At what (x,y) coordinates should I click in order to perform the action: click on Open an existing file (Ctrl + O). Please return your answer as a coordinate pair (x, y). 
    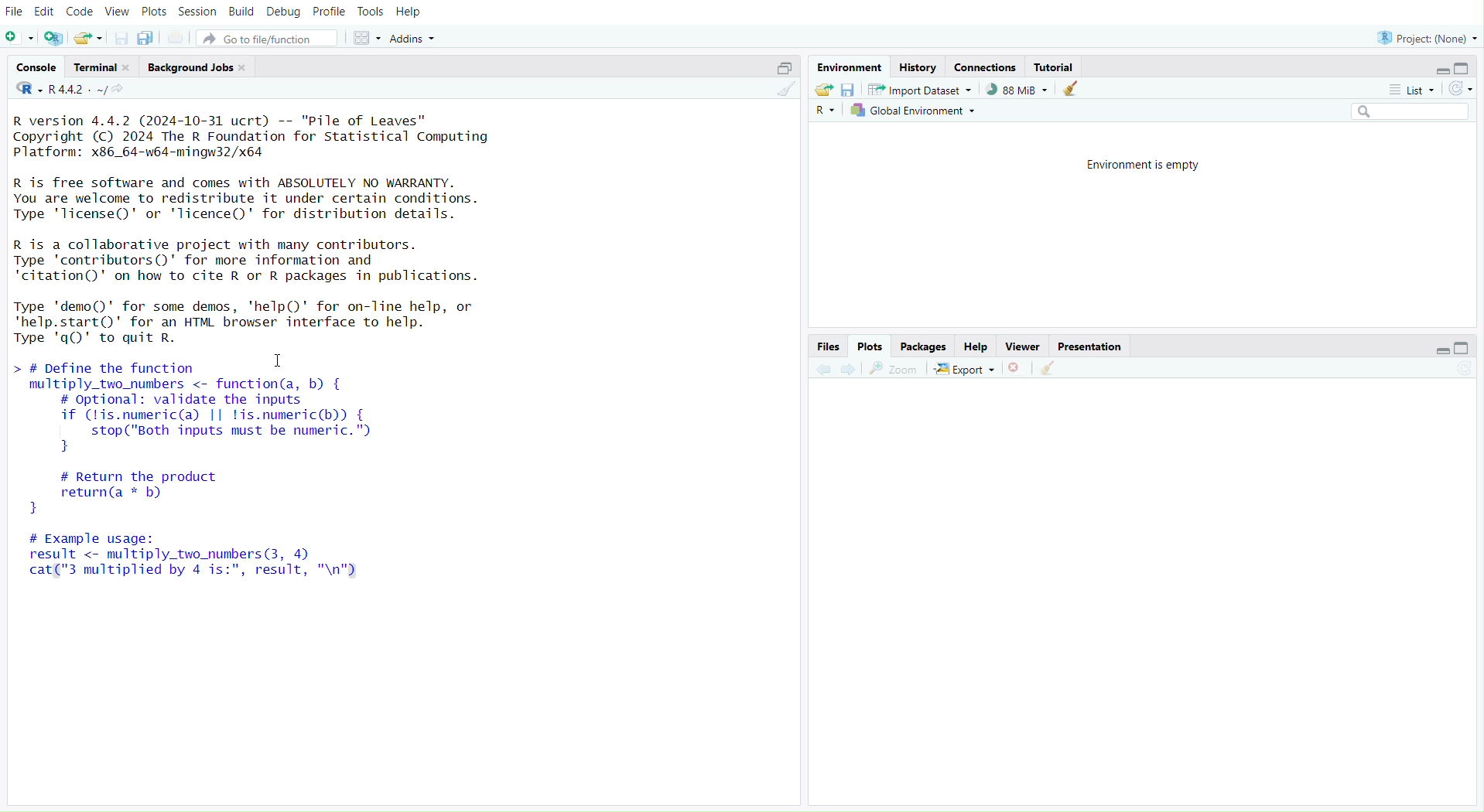
    Looking at the image, I should click on (87, 38).